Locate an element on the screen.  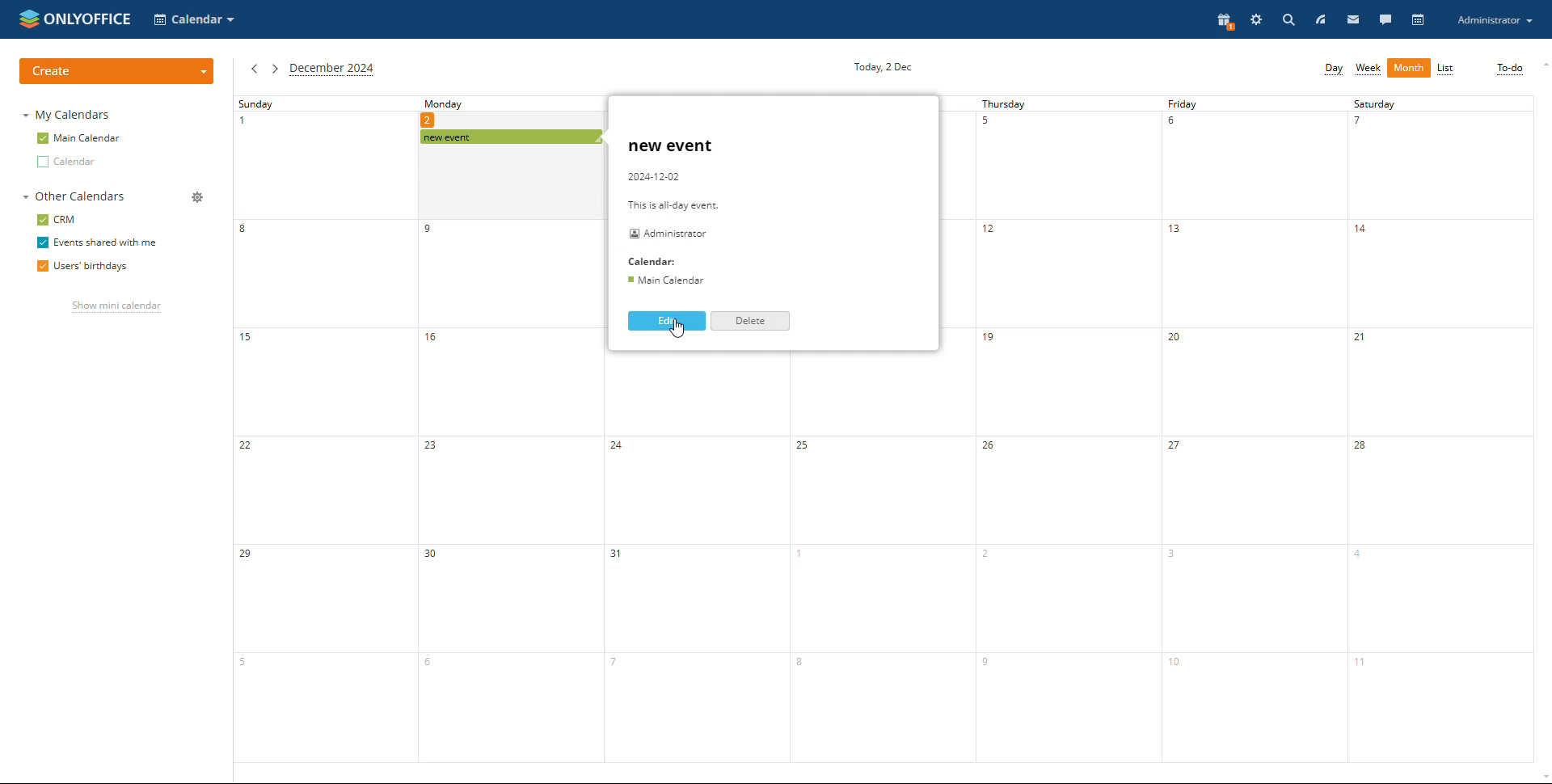
monday is located at coordinates (508, 429).